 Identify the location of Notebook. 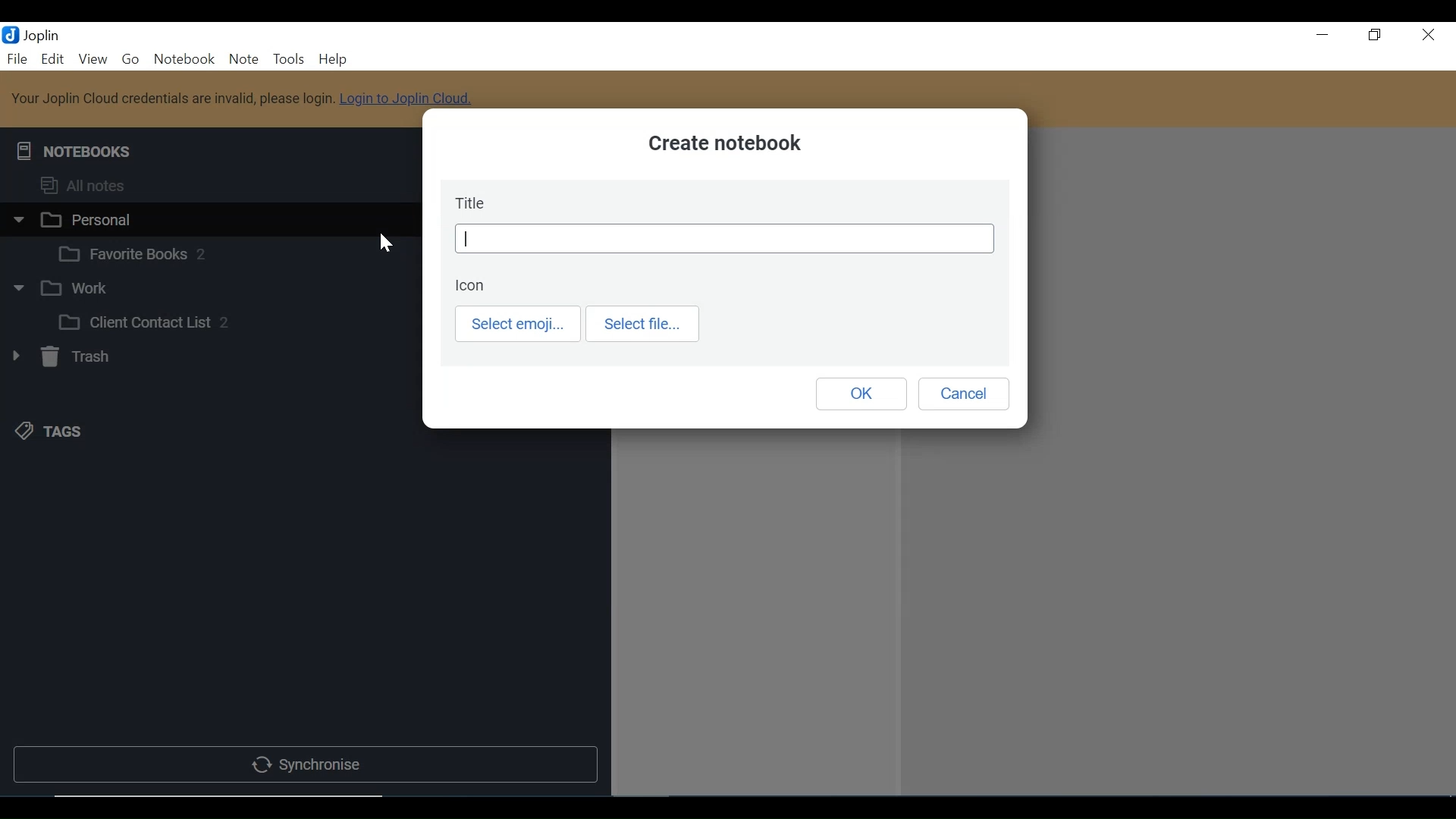
(206, 218).